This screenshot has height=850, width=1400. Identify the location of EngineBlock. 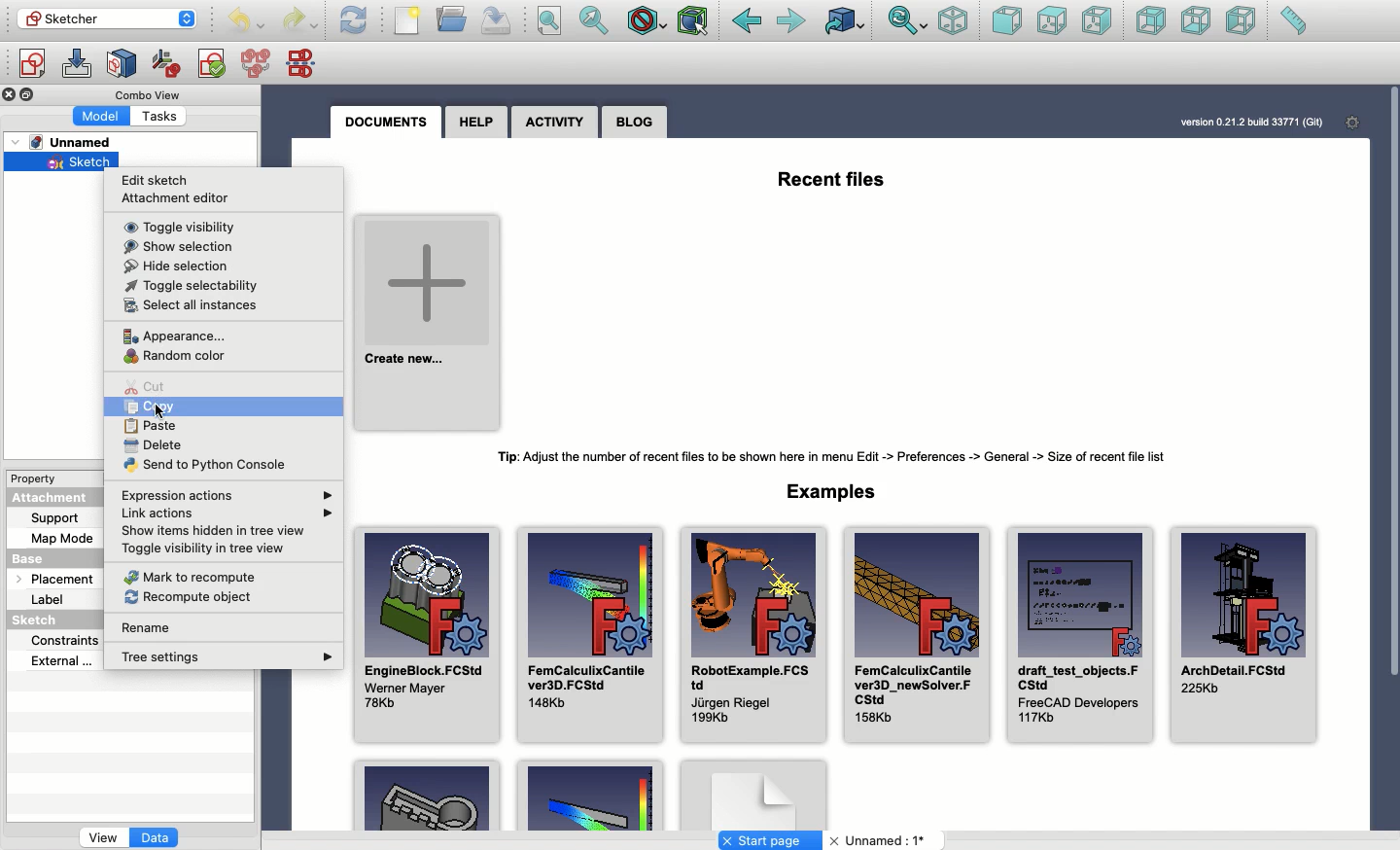
(425, 627).